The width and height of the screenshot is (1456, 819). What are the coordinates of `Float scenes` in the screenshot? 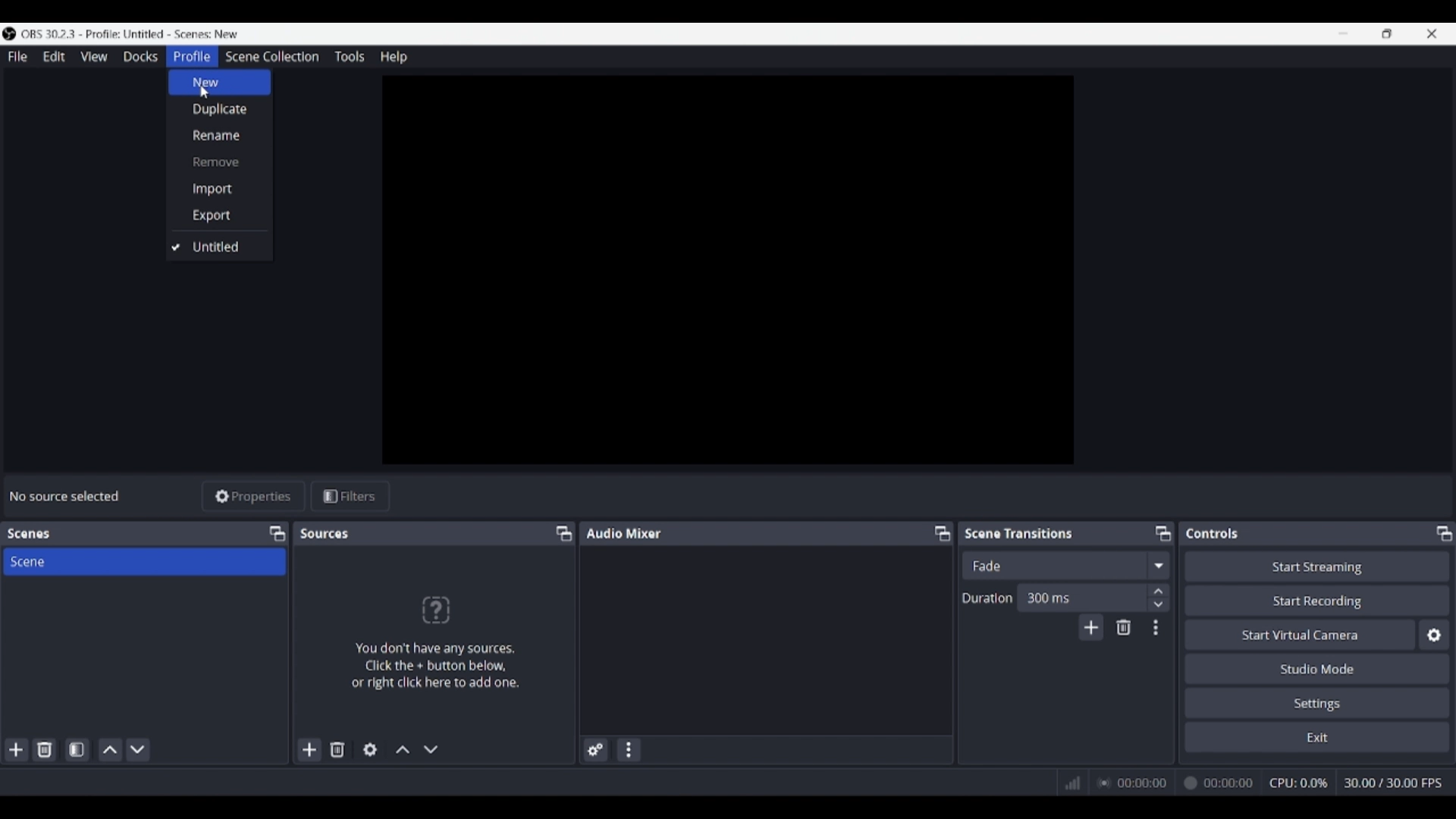 It's located at (277, 534).